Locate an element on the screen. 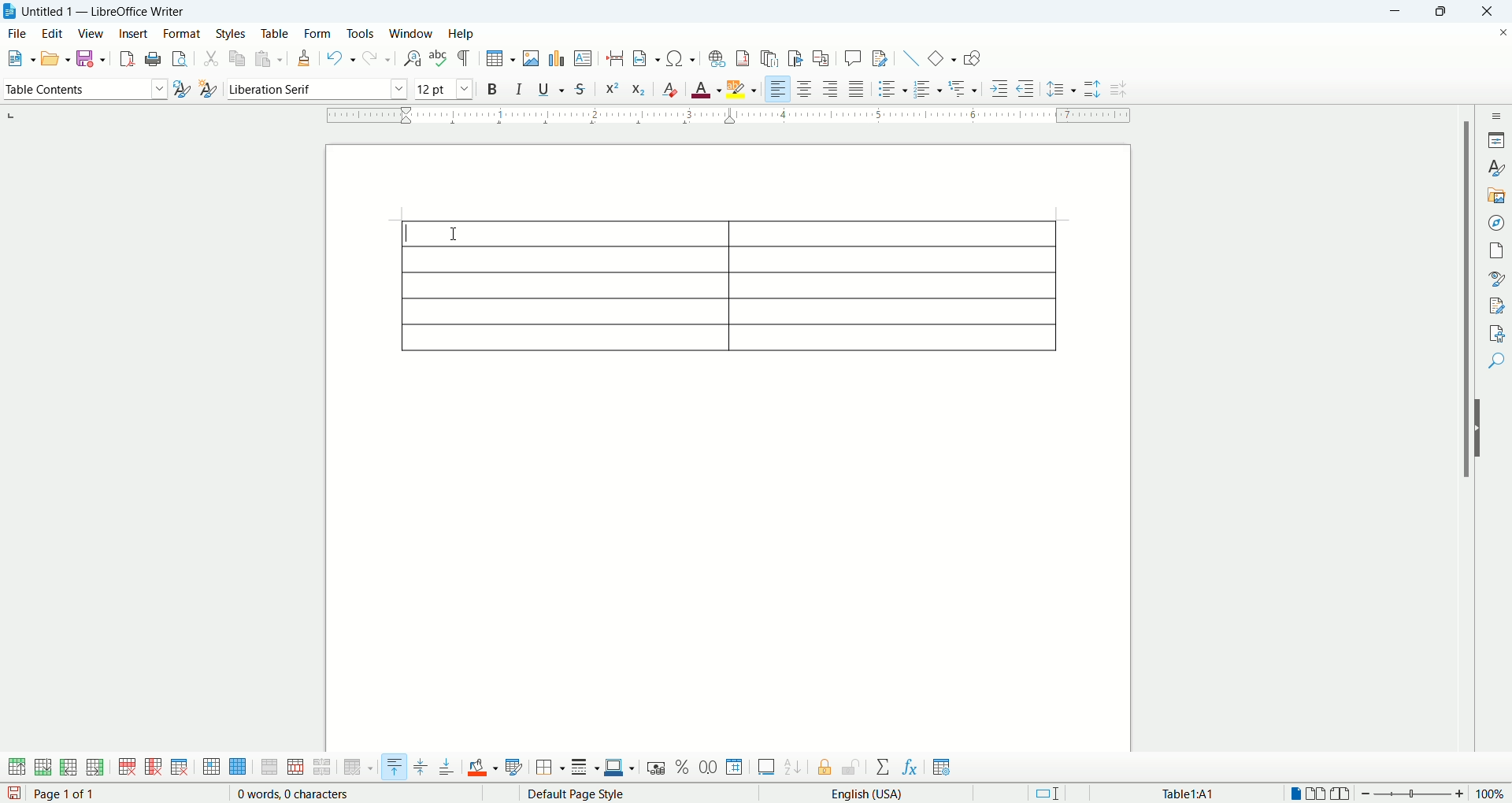 This screenshot has height=803, width=1512. table1 is located at coordinates (1188, 794).